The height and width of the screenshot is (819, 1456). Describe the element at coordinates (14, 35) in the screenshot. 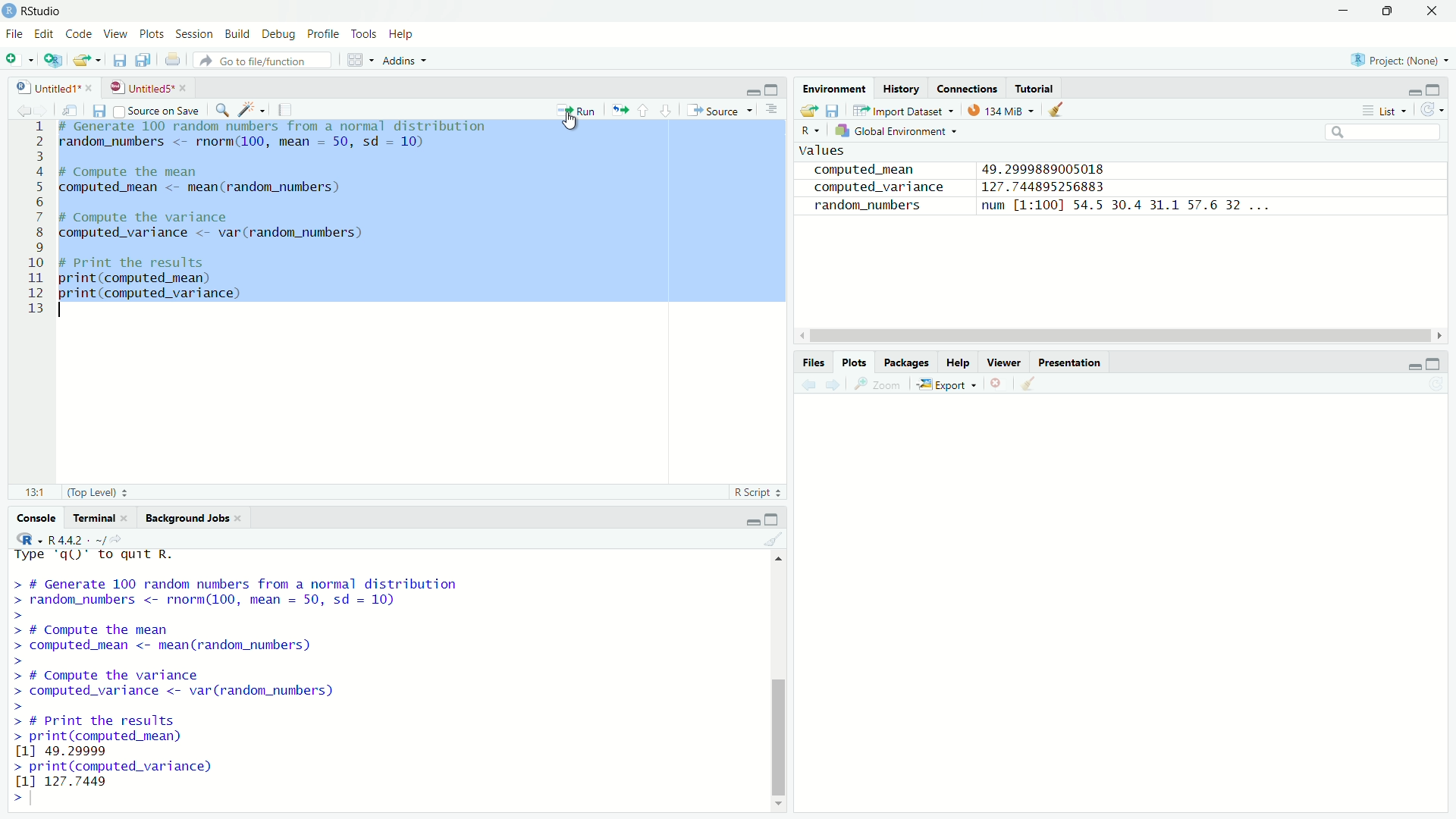

I see `file` at that location.